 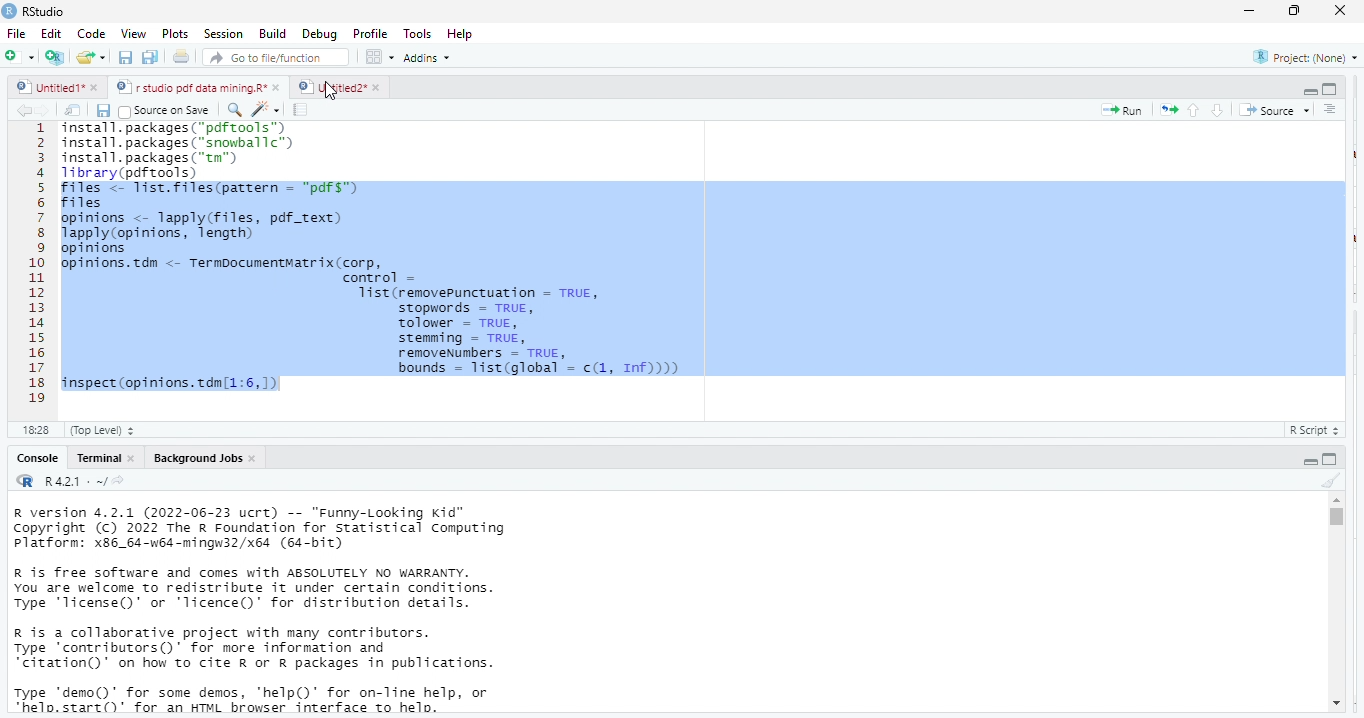 I want to click on close, so click(x=132, y=458).